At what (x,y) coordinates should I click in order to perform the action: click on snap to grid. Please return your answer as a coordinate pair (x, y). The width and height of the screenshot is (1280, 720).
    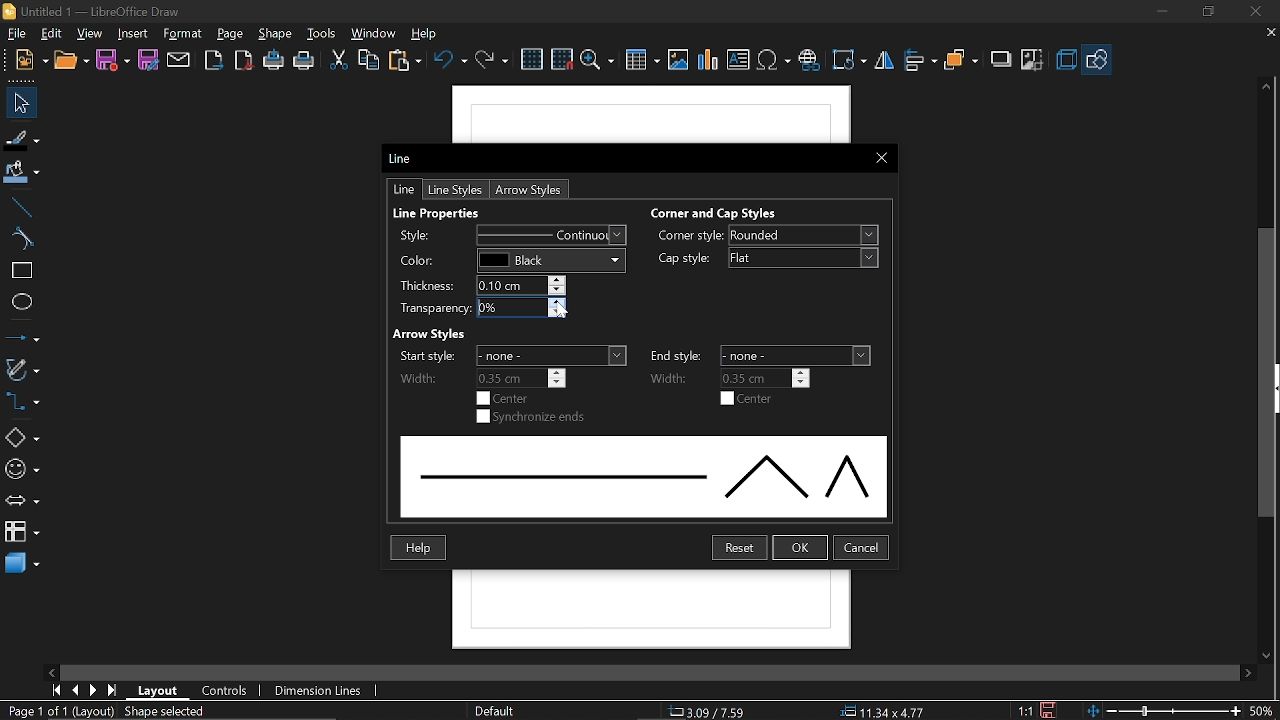
    Looking at the image, I should click on (562, 58).